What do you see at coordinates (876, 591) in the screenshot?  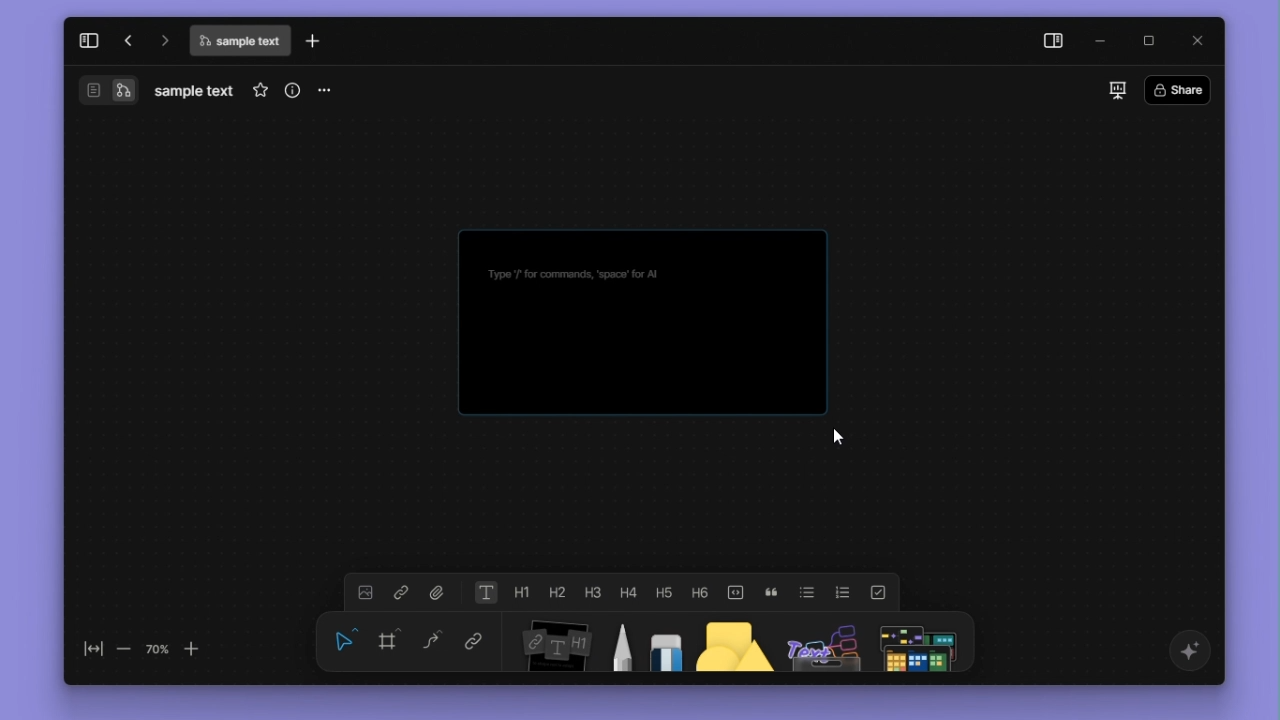 I see `to do list` at bounding box center [876, 591].